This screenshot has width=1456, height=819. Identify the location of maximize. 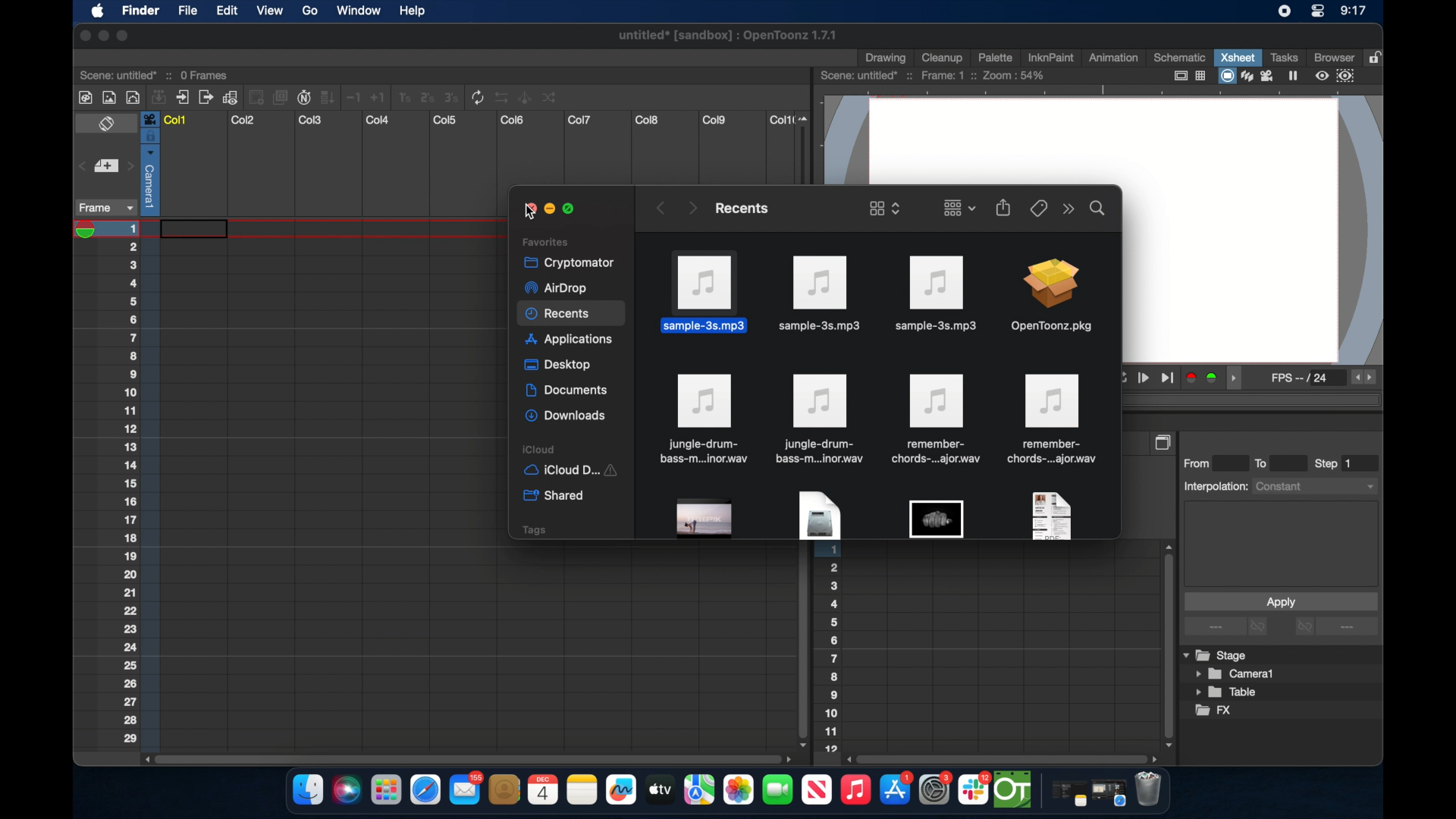
(124, 36).